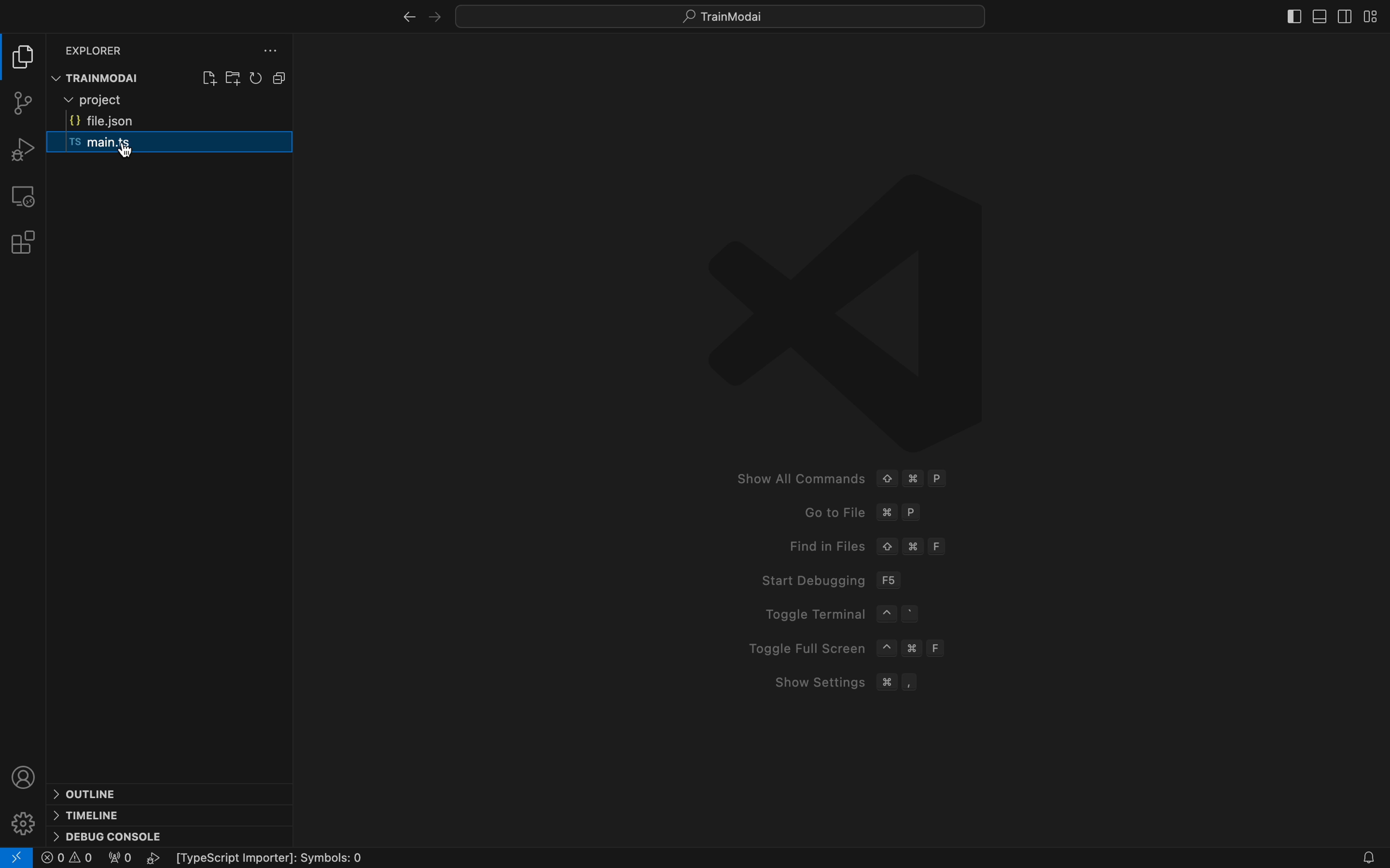 This screenshot has height=868, width=1390. What do you see at coordinates (1288, 17) in the screenshot?
I see `slidebar` at bounding box center [1288, 17].